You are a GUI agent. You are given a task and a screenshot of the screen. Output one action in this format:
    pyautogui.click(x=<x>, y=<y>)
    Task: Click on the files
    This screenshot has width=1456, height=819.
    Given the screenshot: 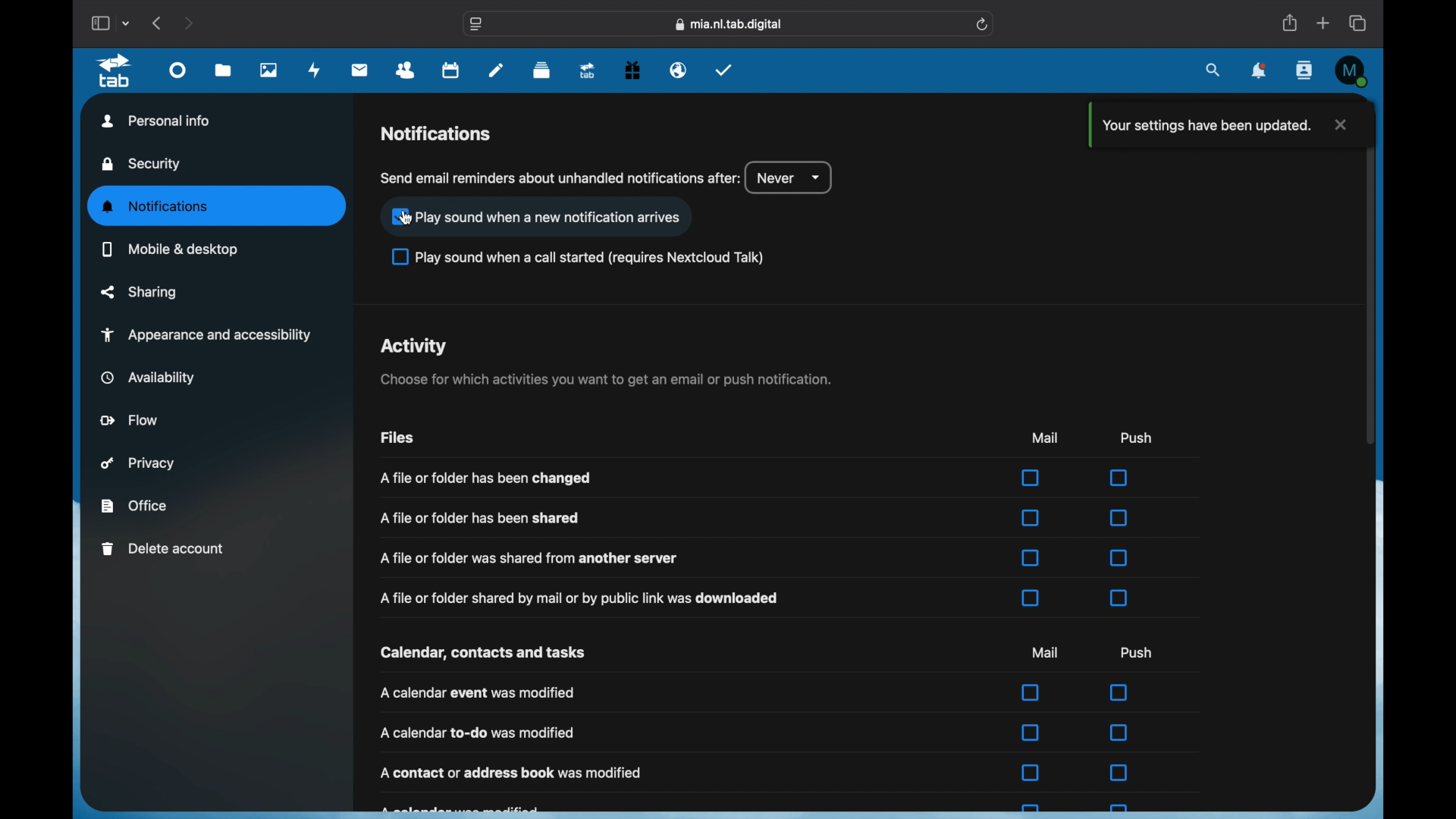 What is the action you would take?
    pyautogui.click(x=395, y=437)
    